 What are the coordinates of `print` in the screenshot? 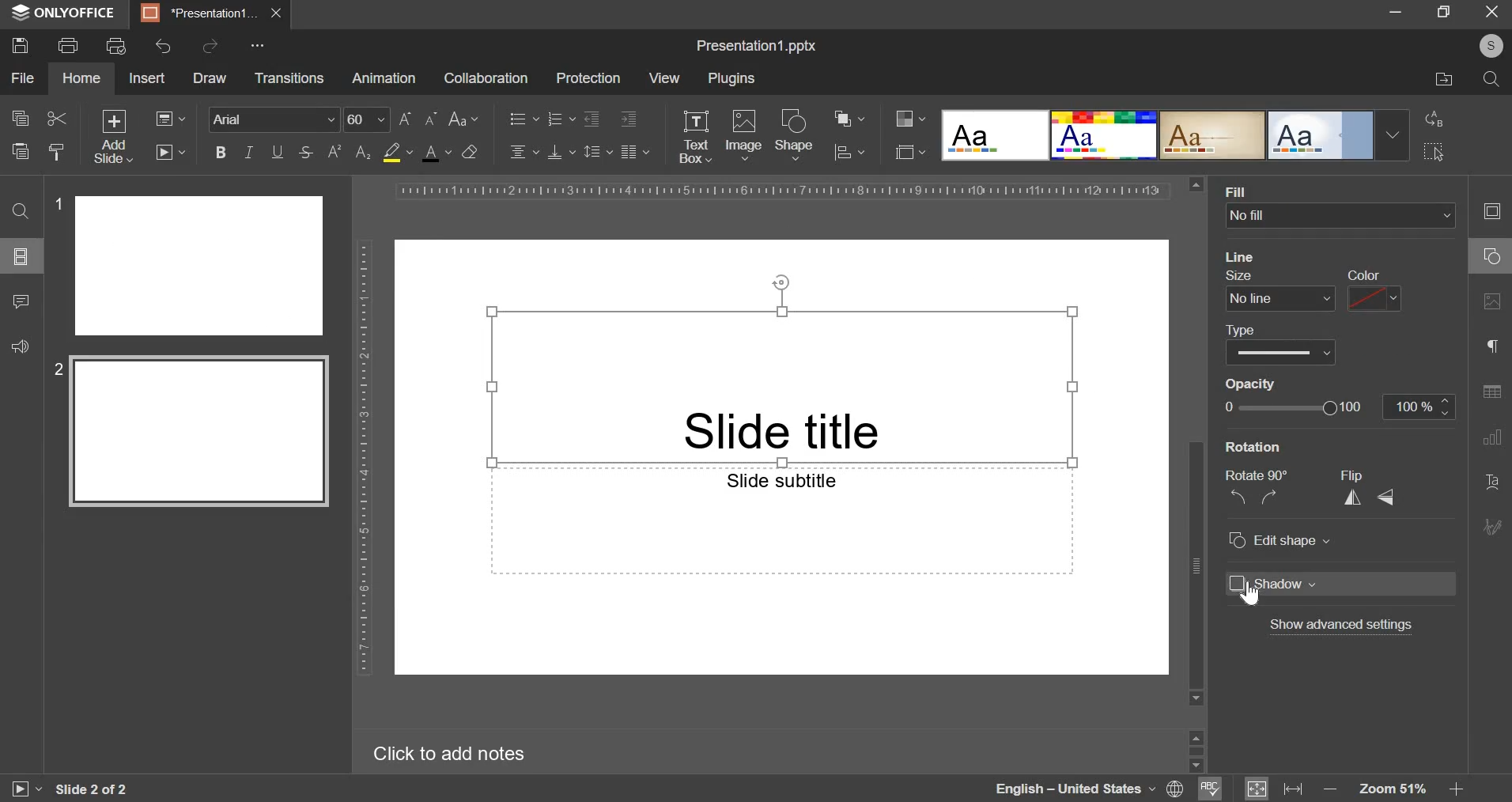 It's located at (67, 44).